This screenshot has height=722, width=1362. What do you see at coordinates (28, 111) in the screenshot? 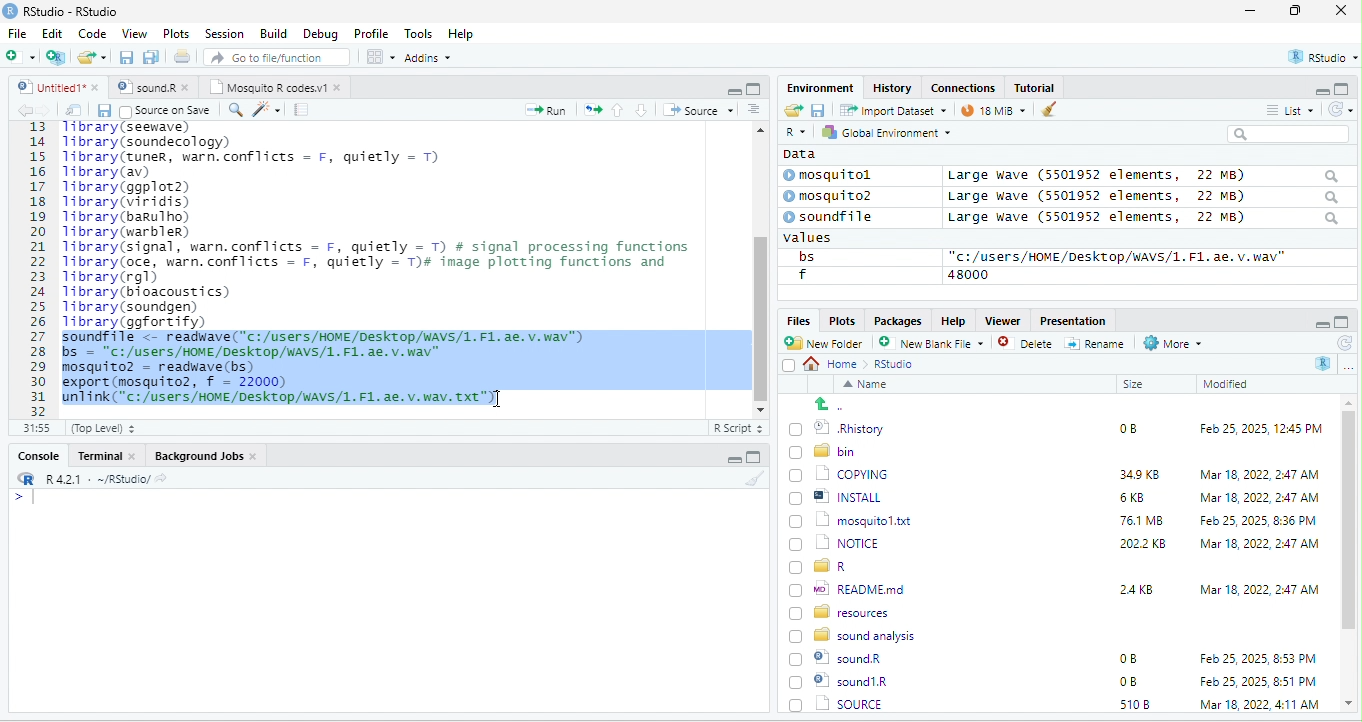
I see `back` at bounding box center [28, 111].